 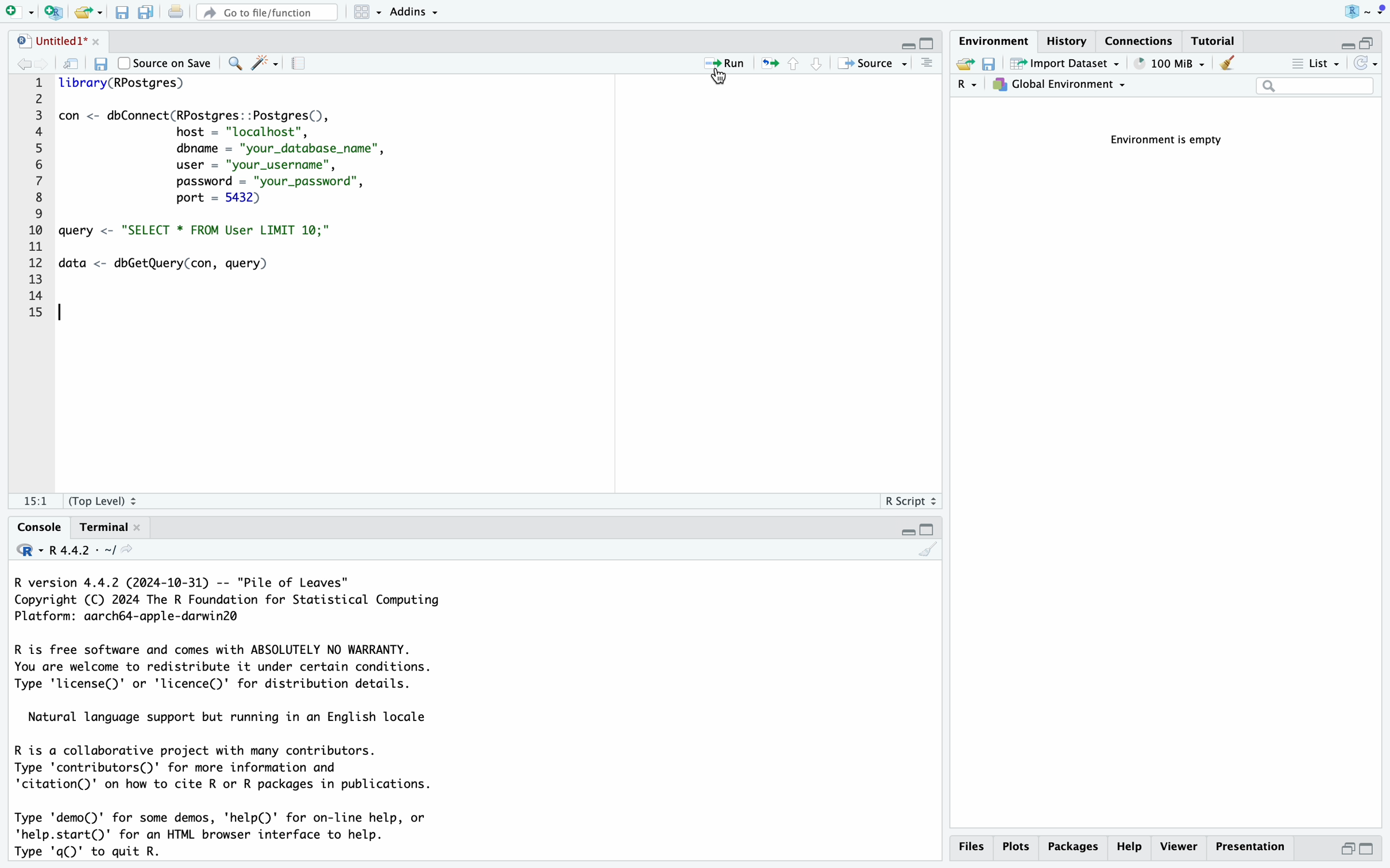 What do you see at coordinates (898, 40) in the screenshot?
I see `minimize` at bounding box center [898, 40].